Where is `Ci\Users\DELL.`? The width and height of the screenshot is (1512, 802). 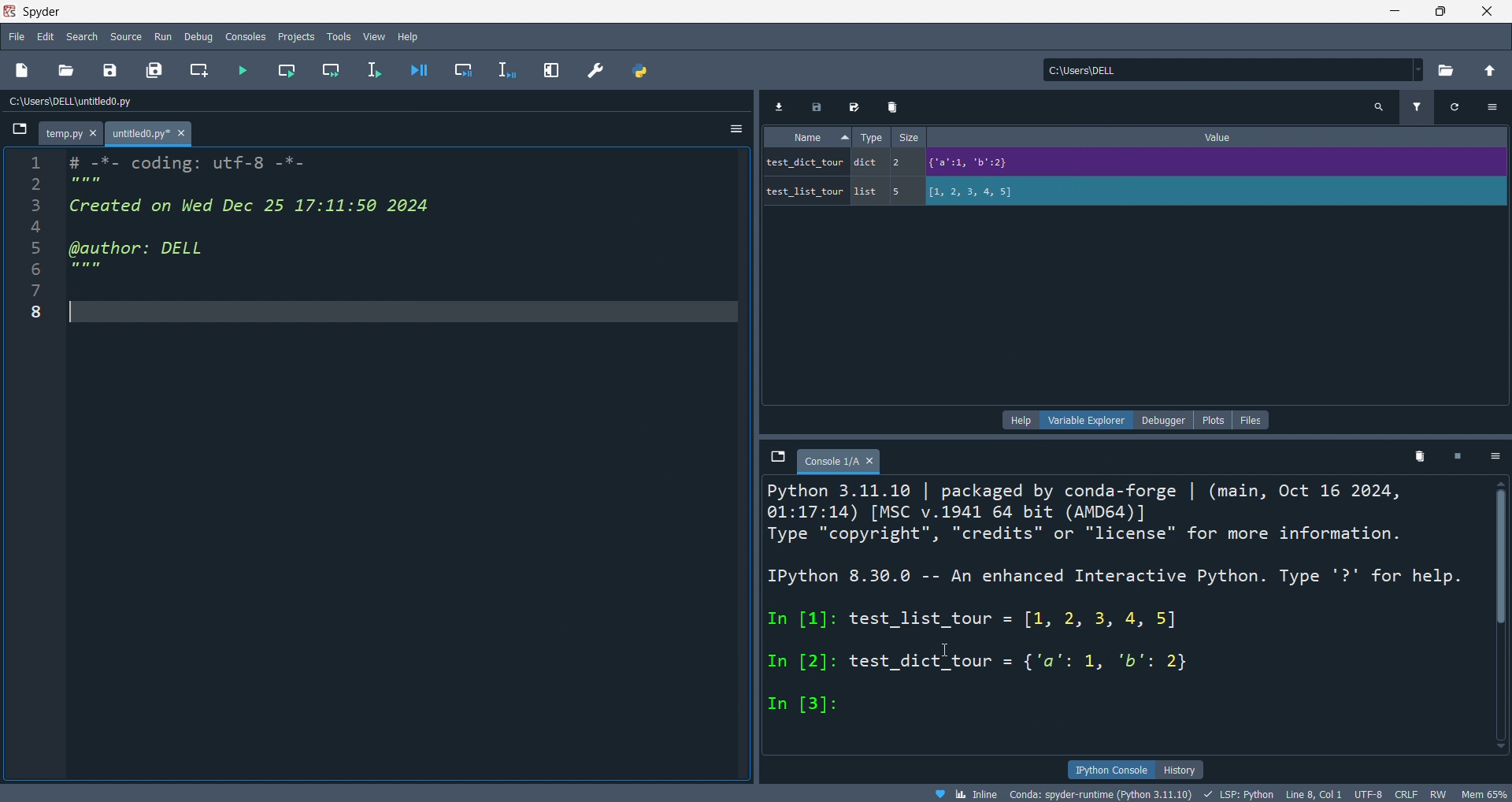
Ci\Users\DELL. is located at coordinates (1107, 69).